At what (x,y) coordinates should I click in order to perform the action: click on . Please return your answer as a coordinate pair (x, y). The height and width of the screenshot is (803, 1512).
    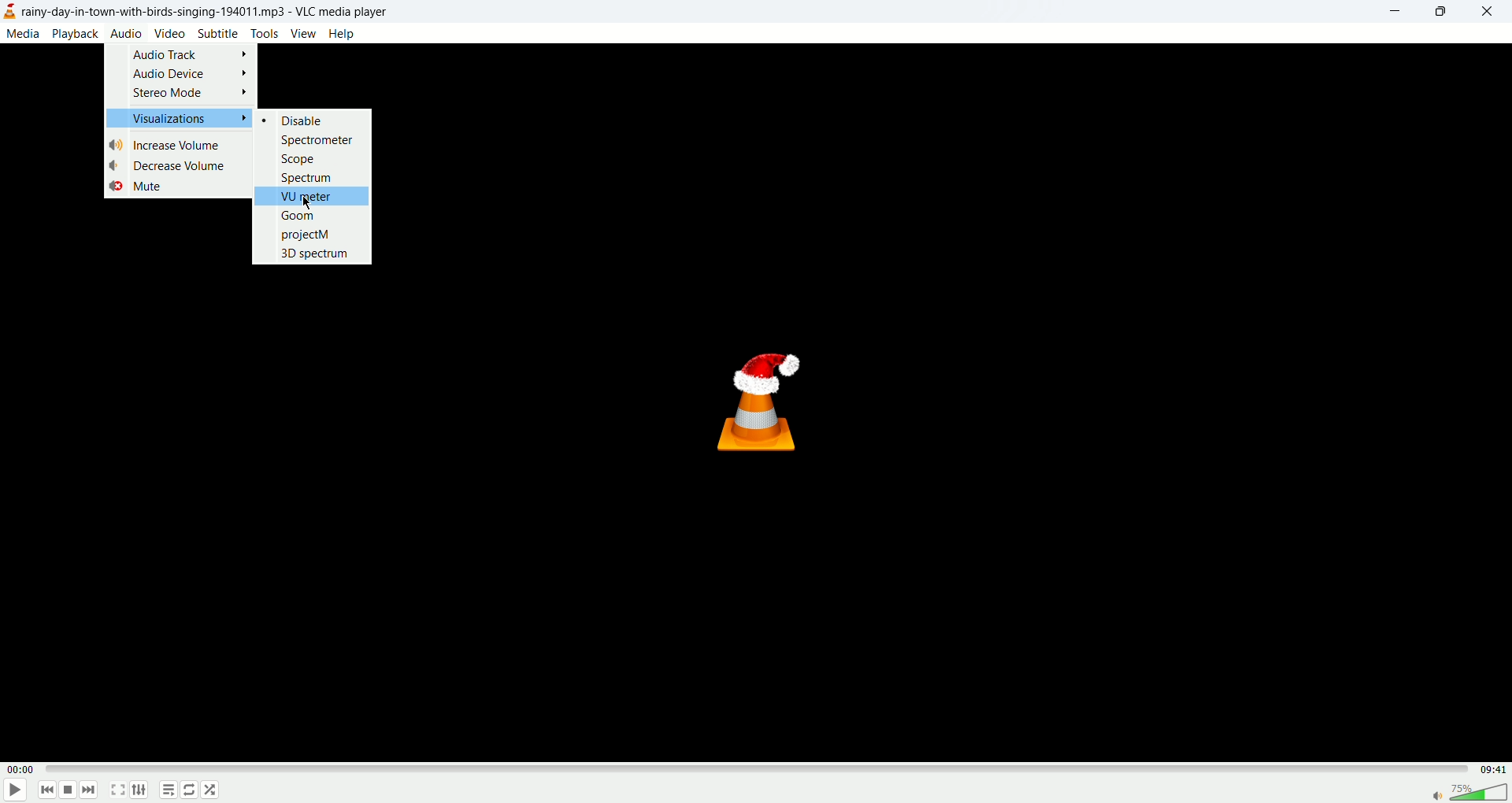
    Looking at the image, I should click on (316, 139).